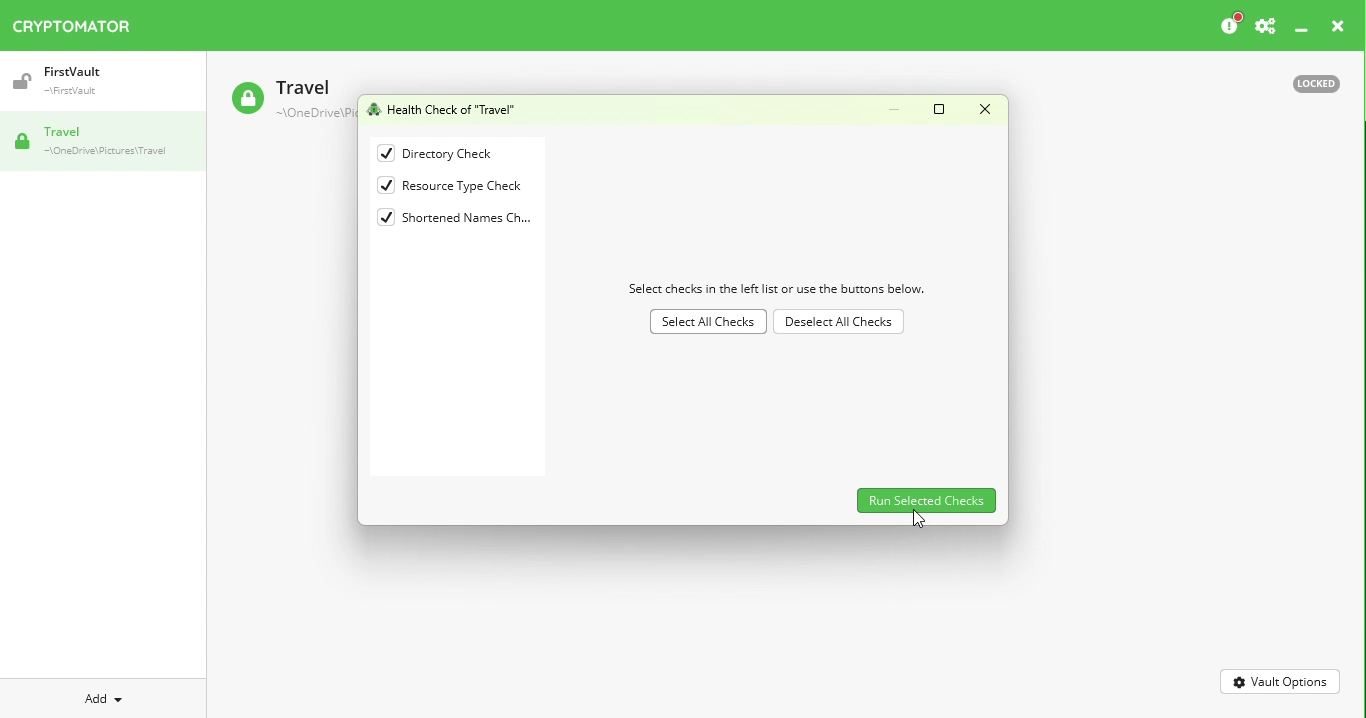  Describe the element at coordinates (704, 320) in the screenshot. I see `Select All Checks` at that location.